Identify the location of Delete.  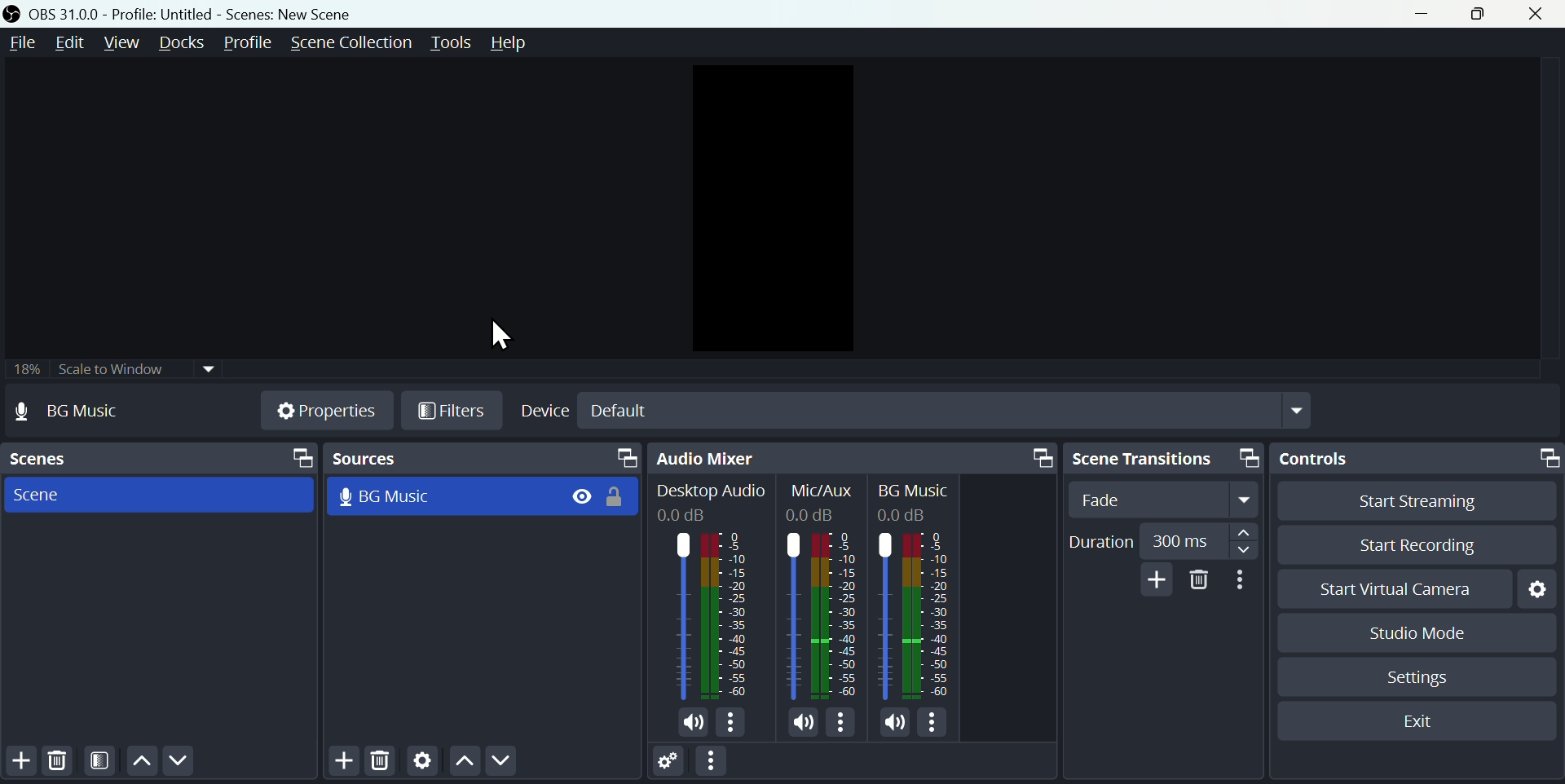
(63, 763).